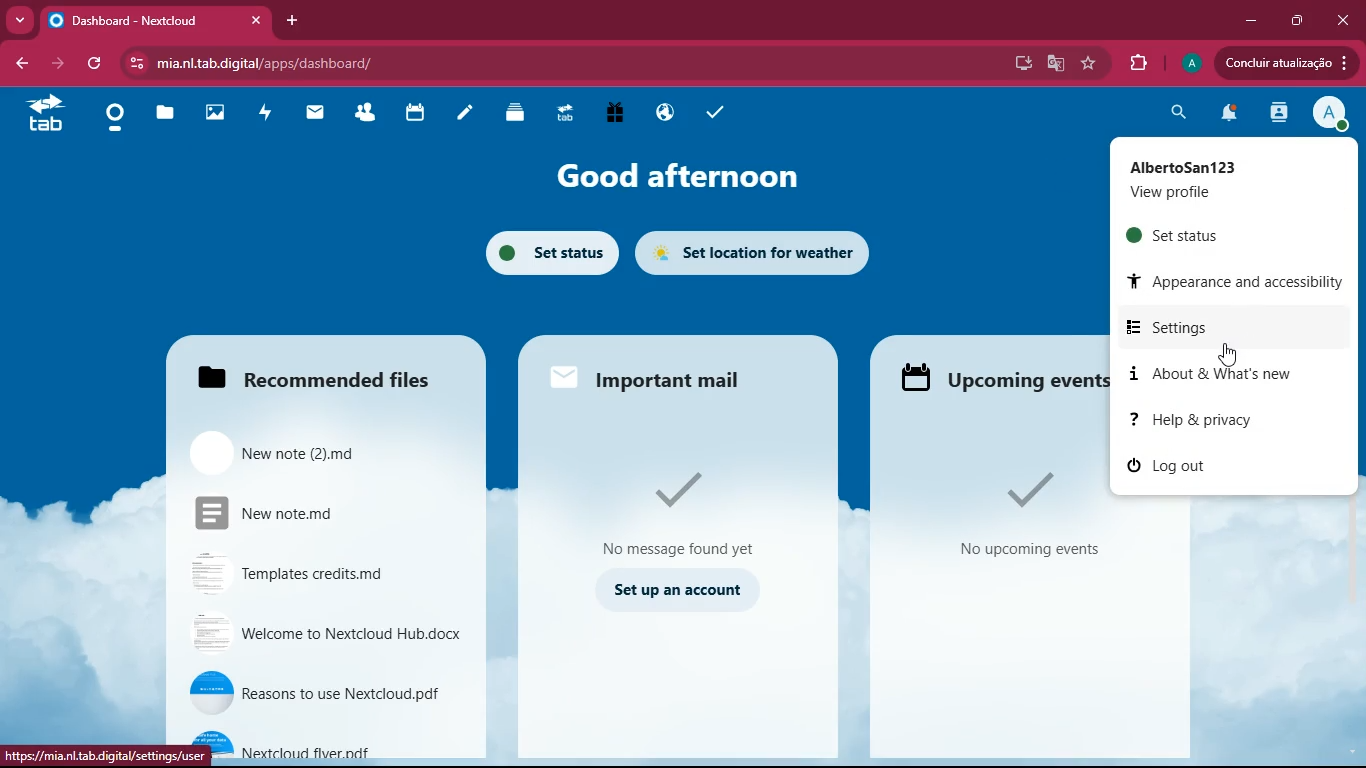  What do you see at coordinates (317, 456) in the screenshot?
I see `New note (2).md` at bounding box center [317, 456].